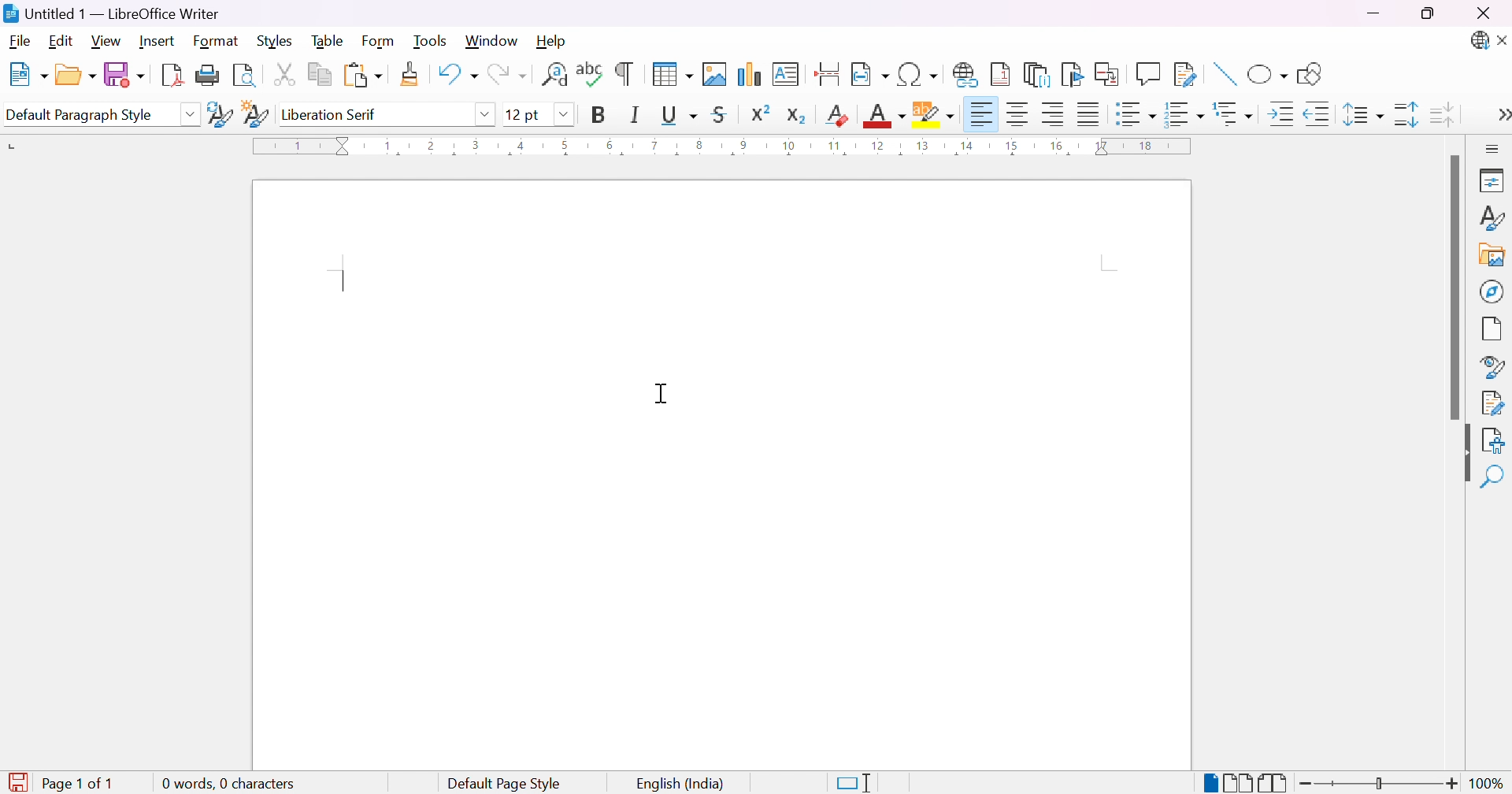 The width and height of the screenshot is (1512, 794). What do you see at coordinates (598, 114) in the screenshot?
I see `Bold` at bounding box center [598, 114].